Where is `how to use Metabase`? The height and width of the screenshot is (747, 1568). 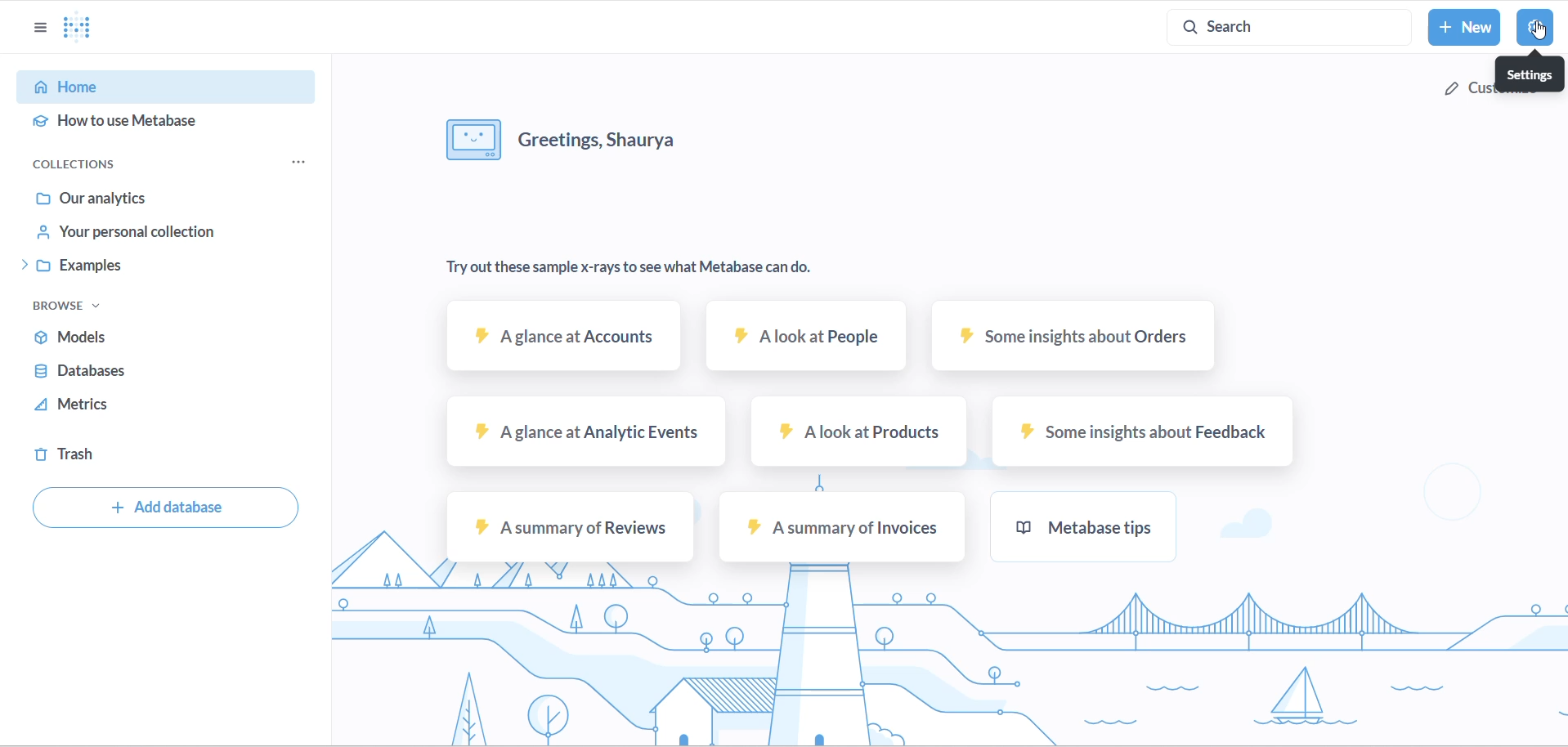
how to use Metabase is located at coordinates (145, 123).